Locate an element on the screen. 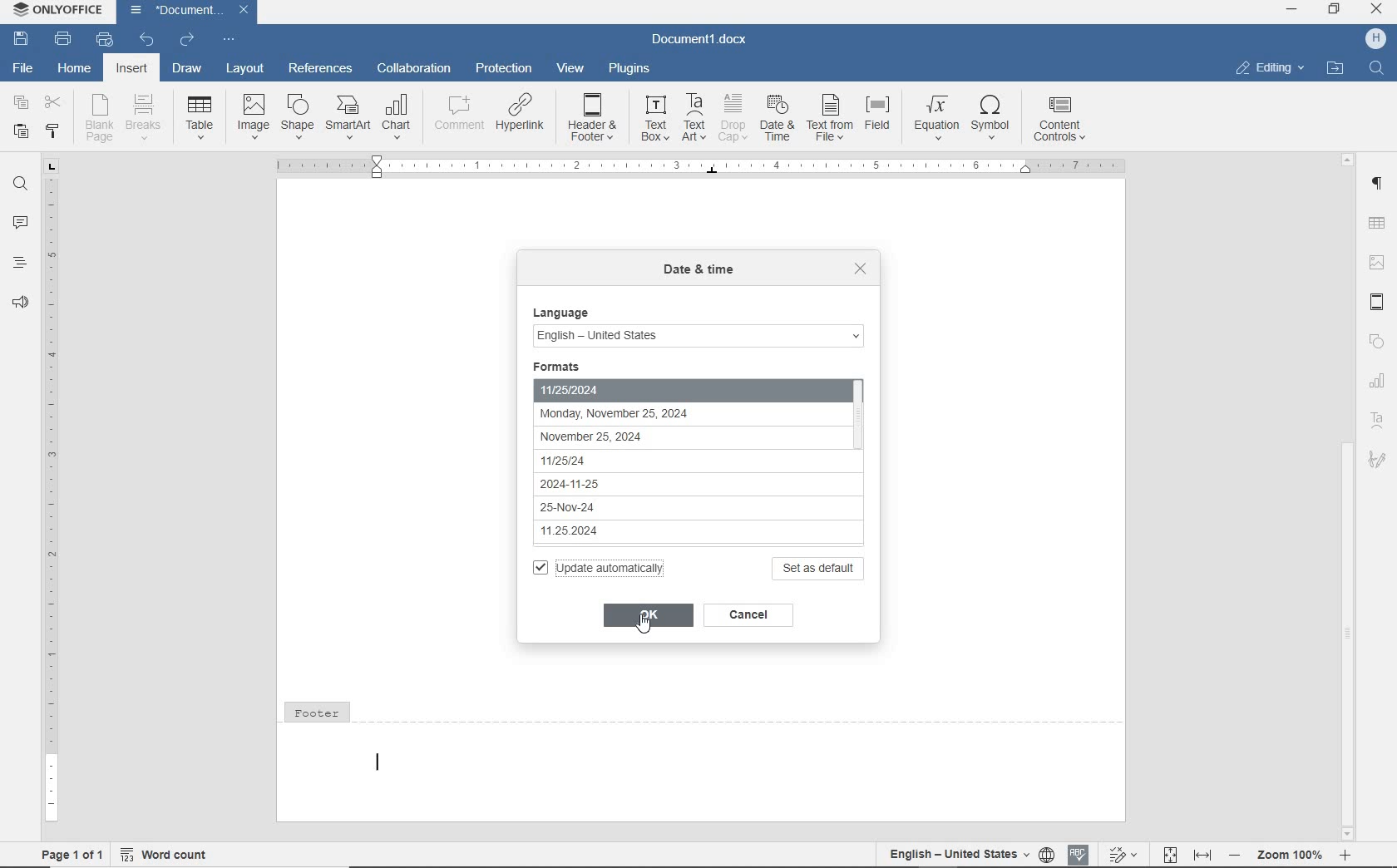  headings is located at coordinates (18, 263).